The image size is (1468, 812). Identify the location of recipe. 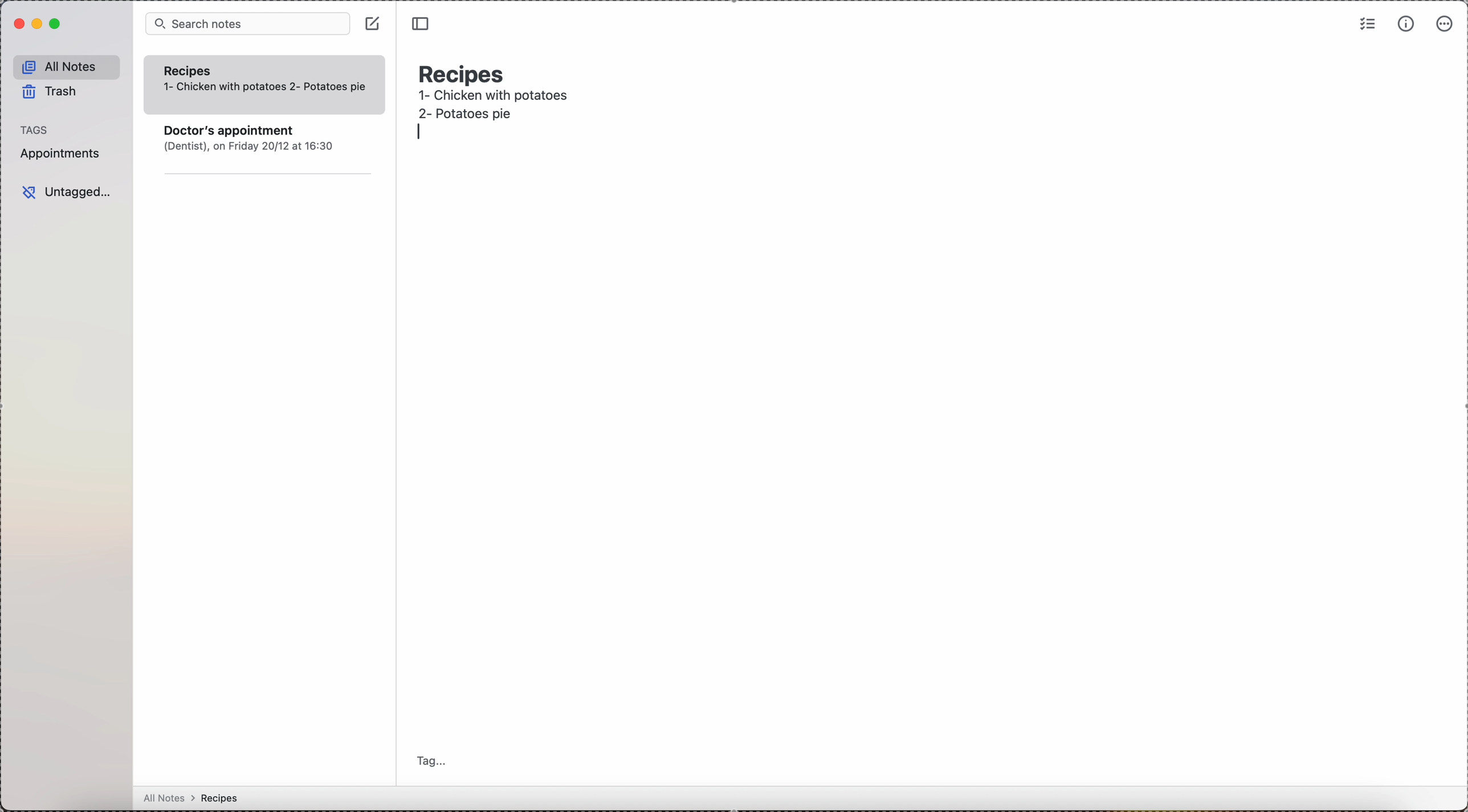
(332, 87).